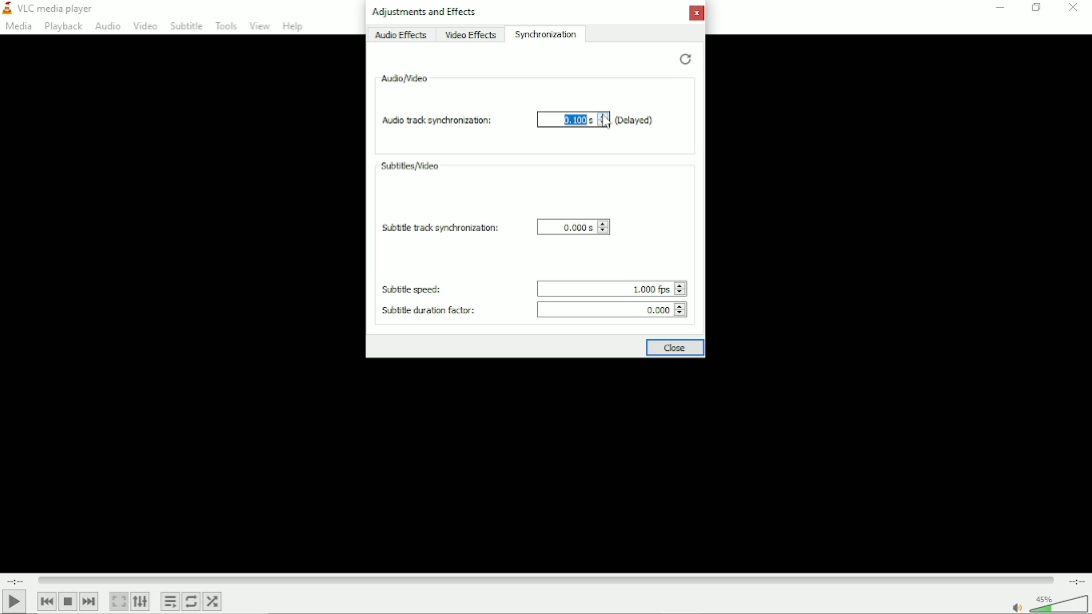  I want to click on View, so click(259, 26).